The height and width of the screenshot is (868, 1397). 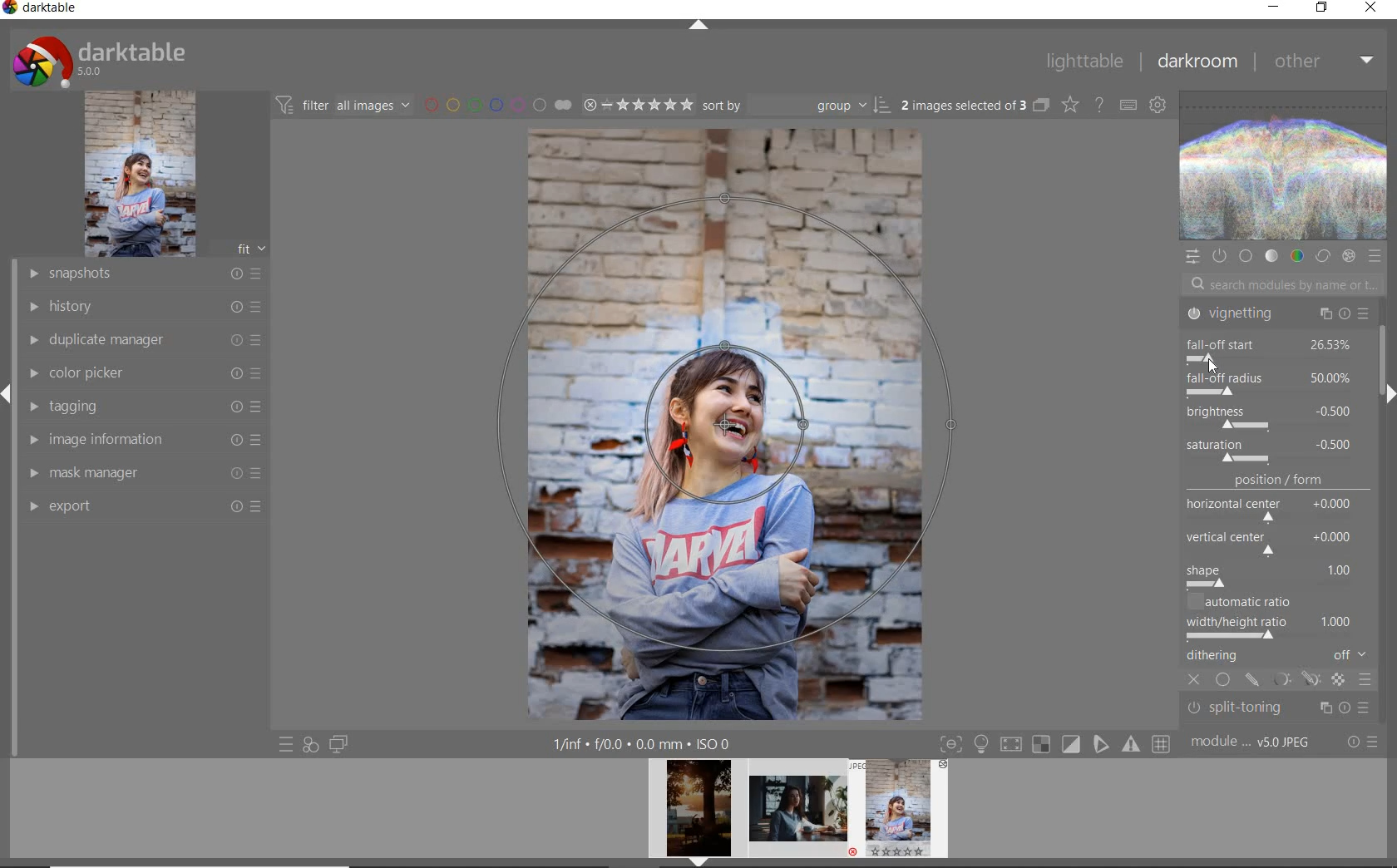 What do you see at coordinates (1275, 713) in the screenshot?
I see `lens correction` at bounding box center [1275, 713].